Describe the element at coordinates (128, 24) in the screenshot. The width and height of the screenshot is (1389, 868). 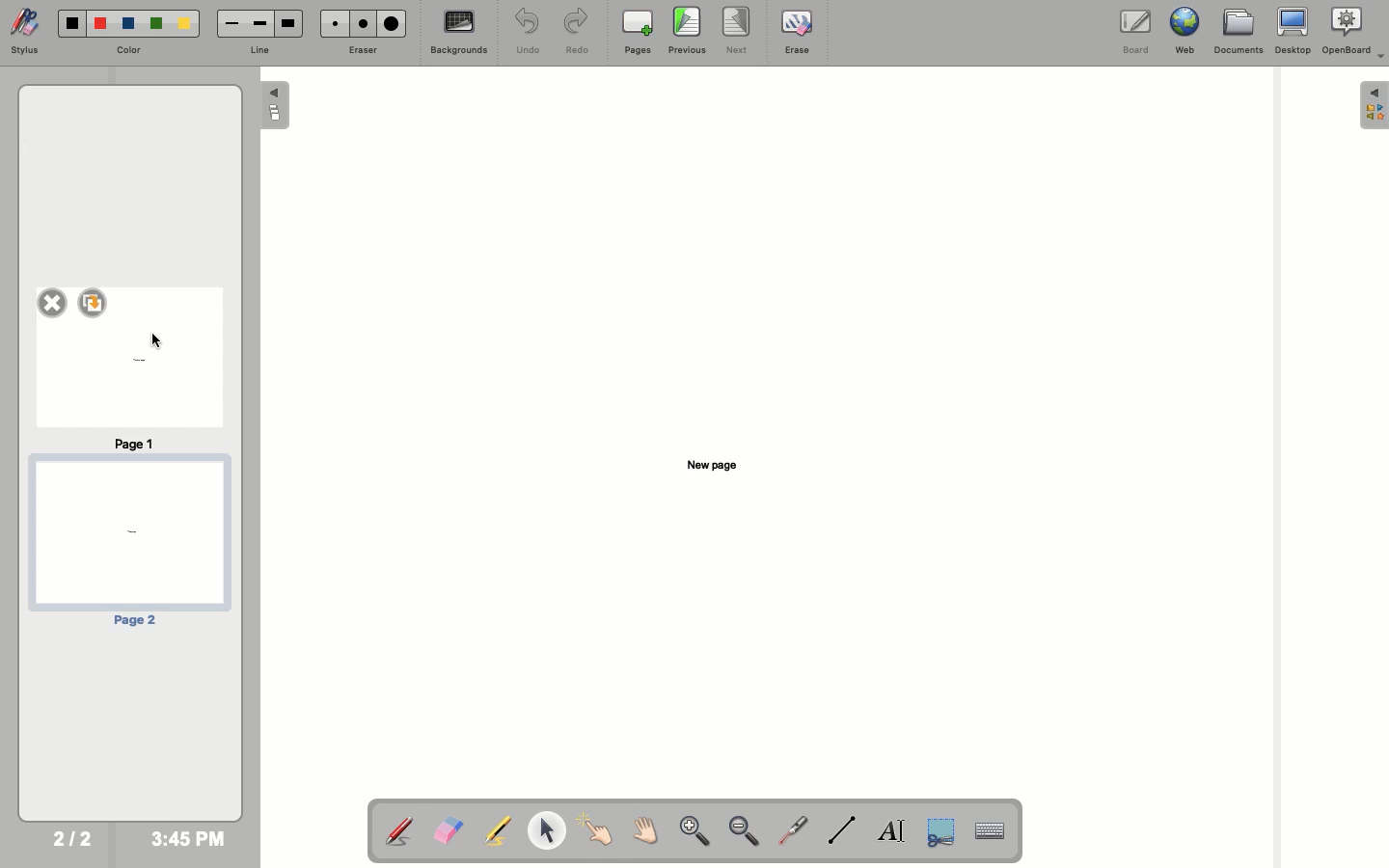
I see `Color 3` at that location.